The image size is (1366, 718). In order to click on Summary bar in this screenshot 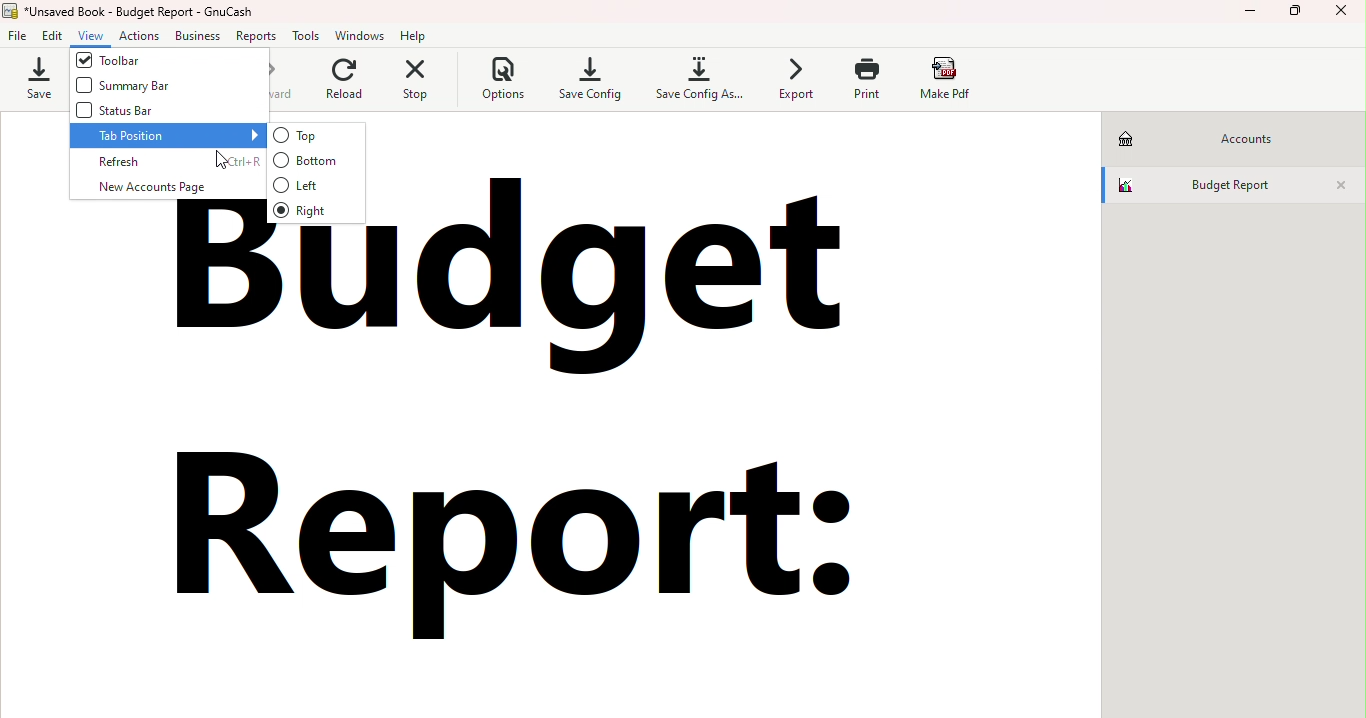, I will do `click(137, 86)`.